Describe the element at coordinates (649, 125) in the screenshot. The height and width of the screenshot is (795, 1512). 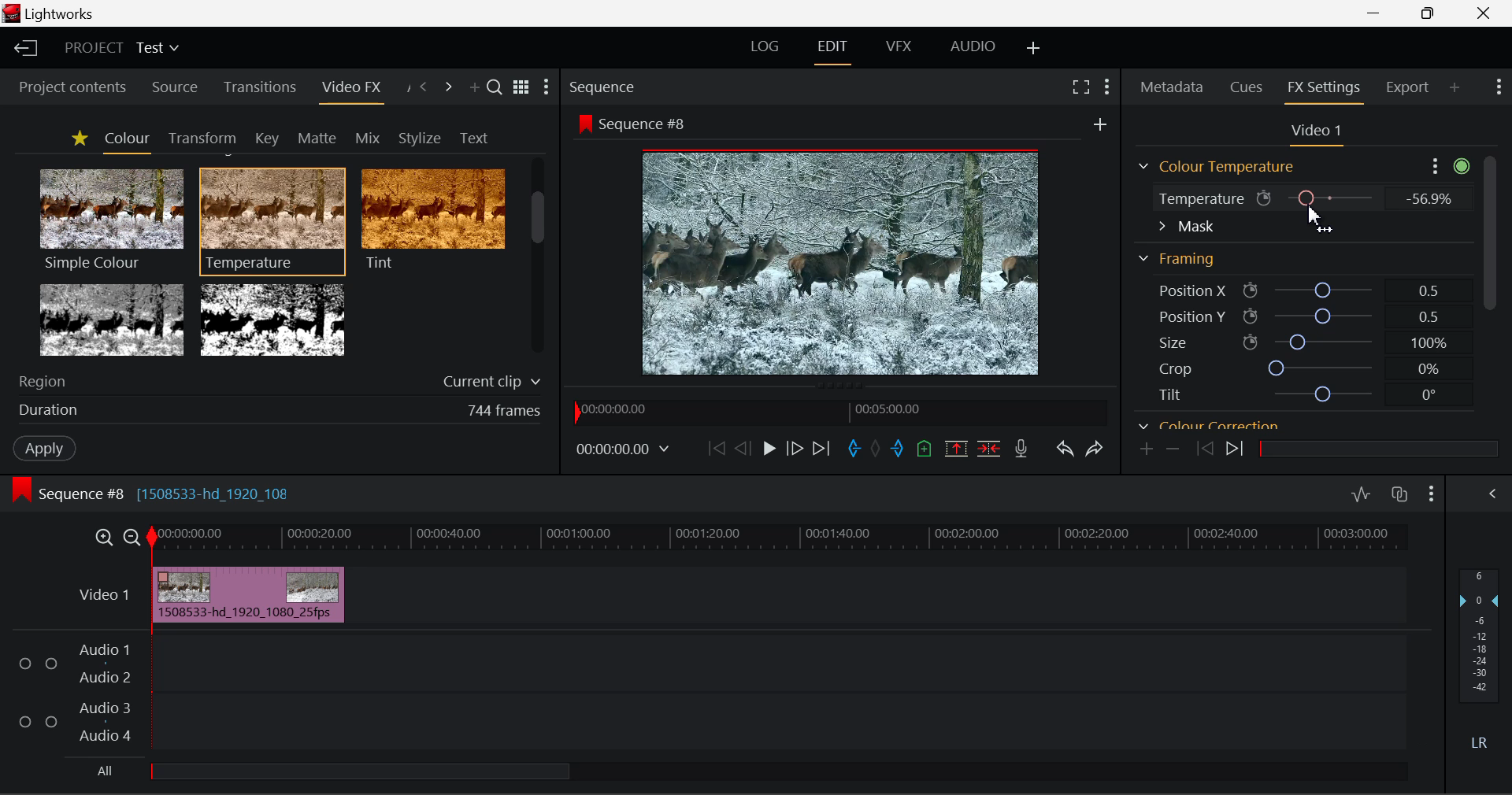
I see `Sequence #8` at that location.